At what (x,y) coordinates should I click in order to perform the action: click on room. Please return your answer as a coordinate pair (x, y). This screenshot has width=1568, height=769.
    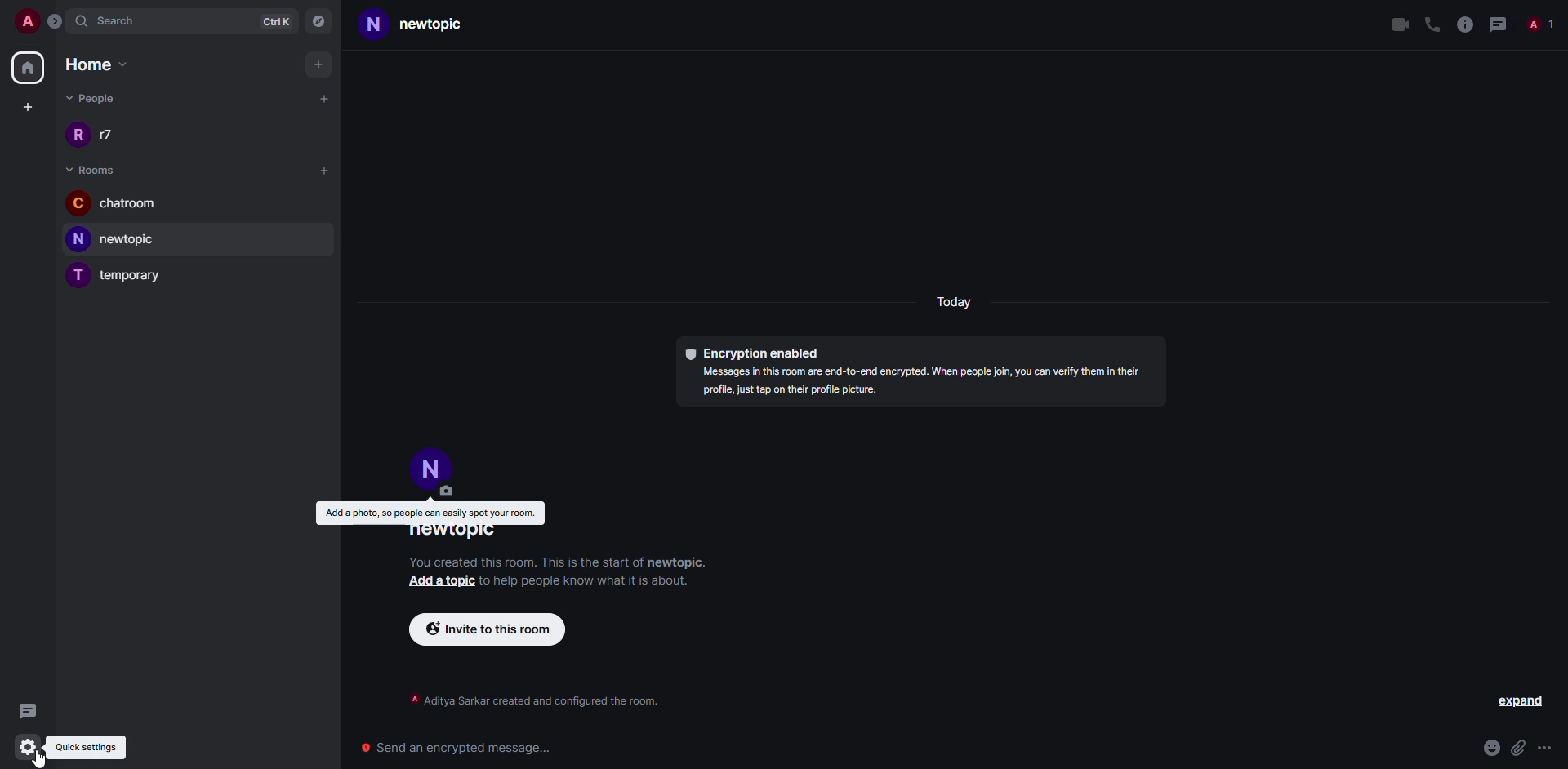
    Looking at the image, I should click on (456, 533).